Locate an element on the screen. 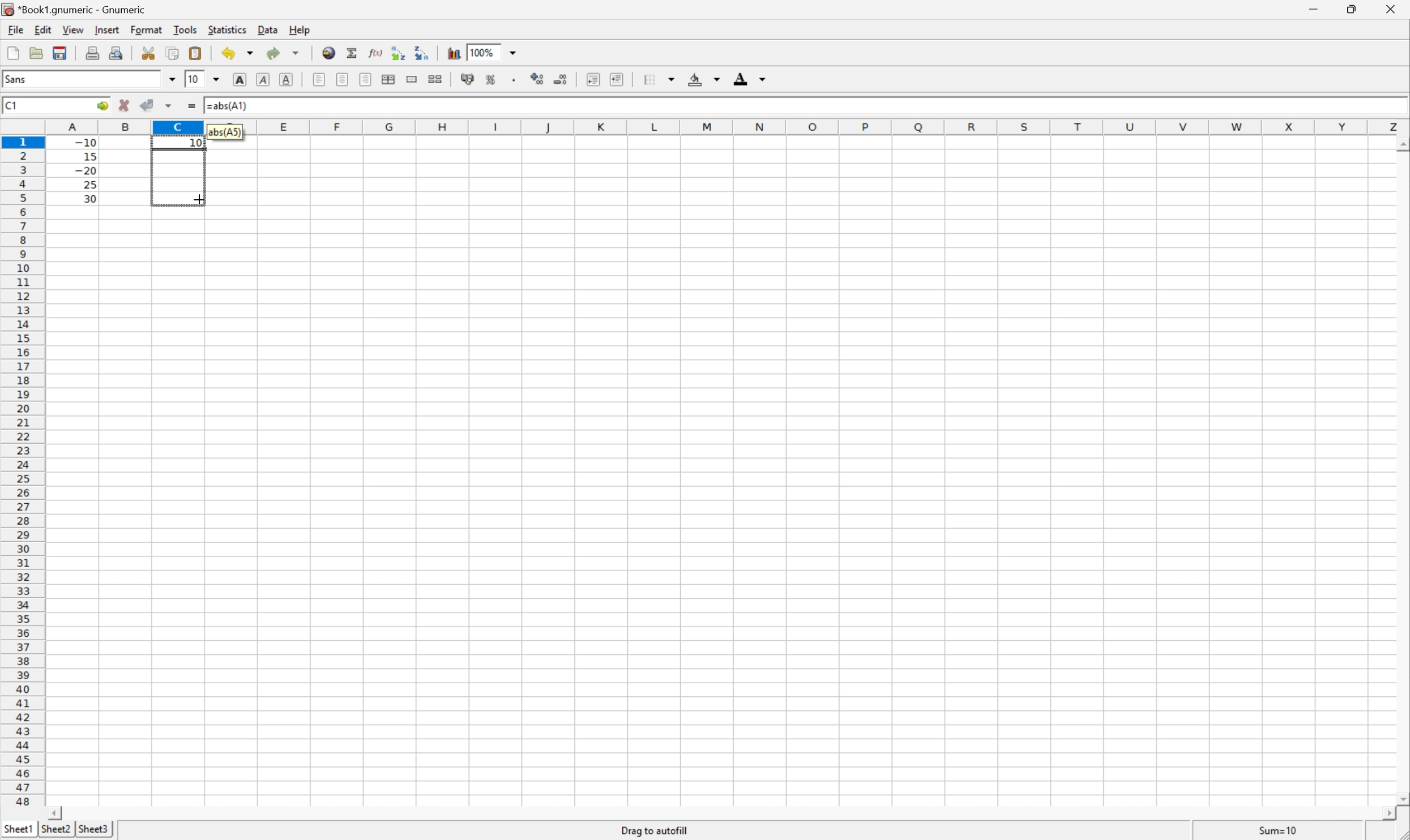 This screenshot has height=840, width=1410. C1 is located at coordinates (12, 104).